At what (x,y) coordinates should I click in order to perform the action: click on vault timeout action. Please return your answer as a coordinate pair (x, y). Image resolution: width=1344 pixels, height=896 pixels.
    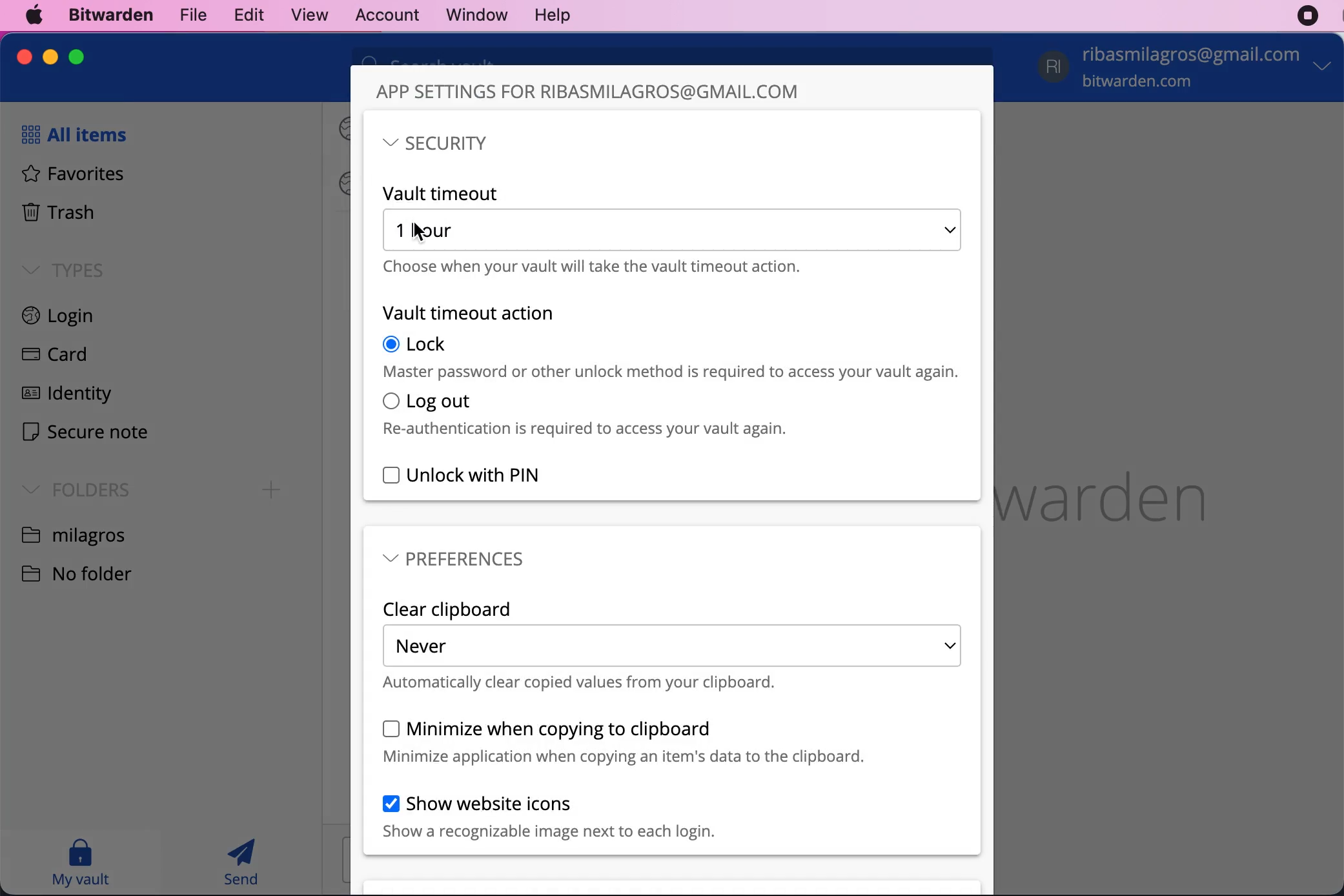
    Looking at the image, I should click on (469, 313).